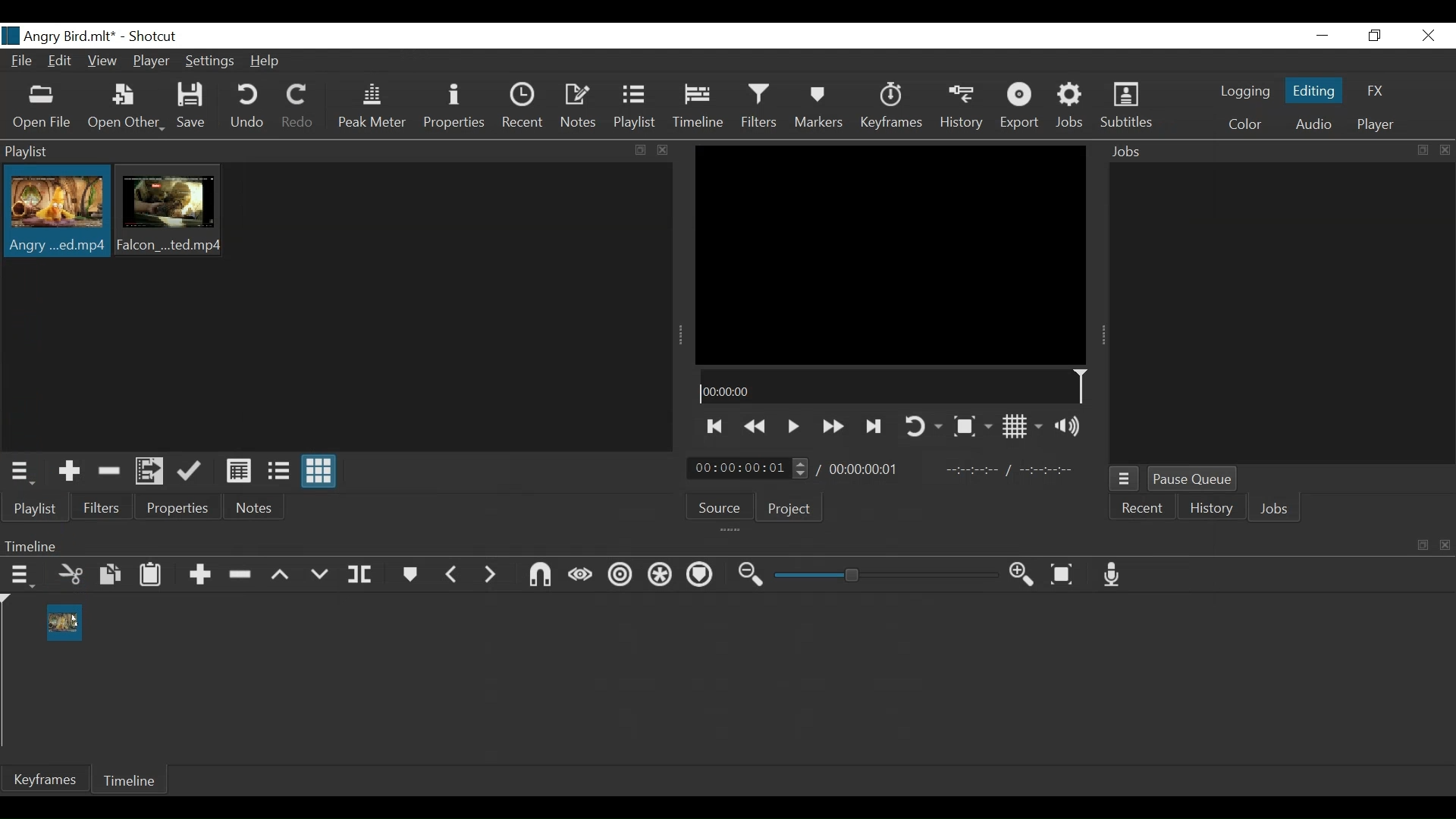 The width and height of the screenshot is (1456, 819). What do you see at coordinates (1113, 574) in the screenshot?
I see `Record audio` at bounding box center [1113, 574].